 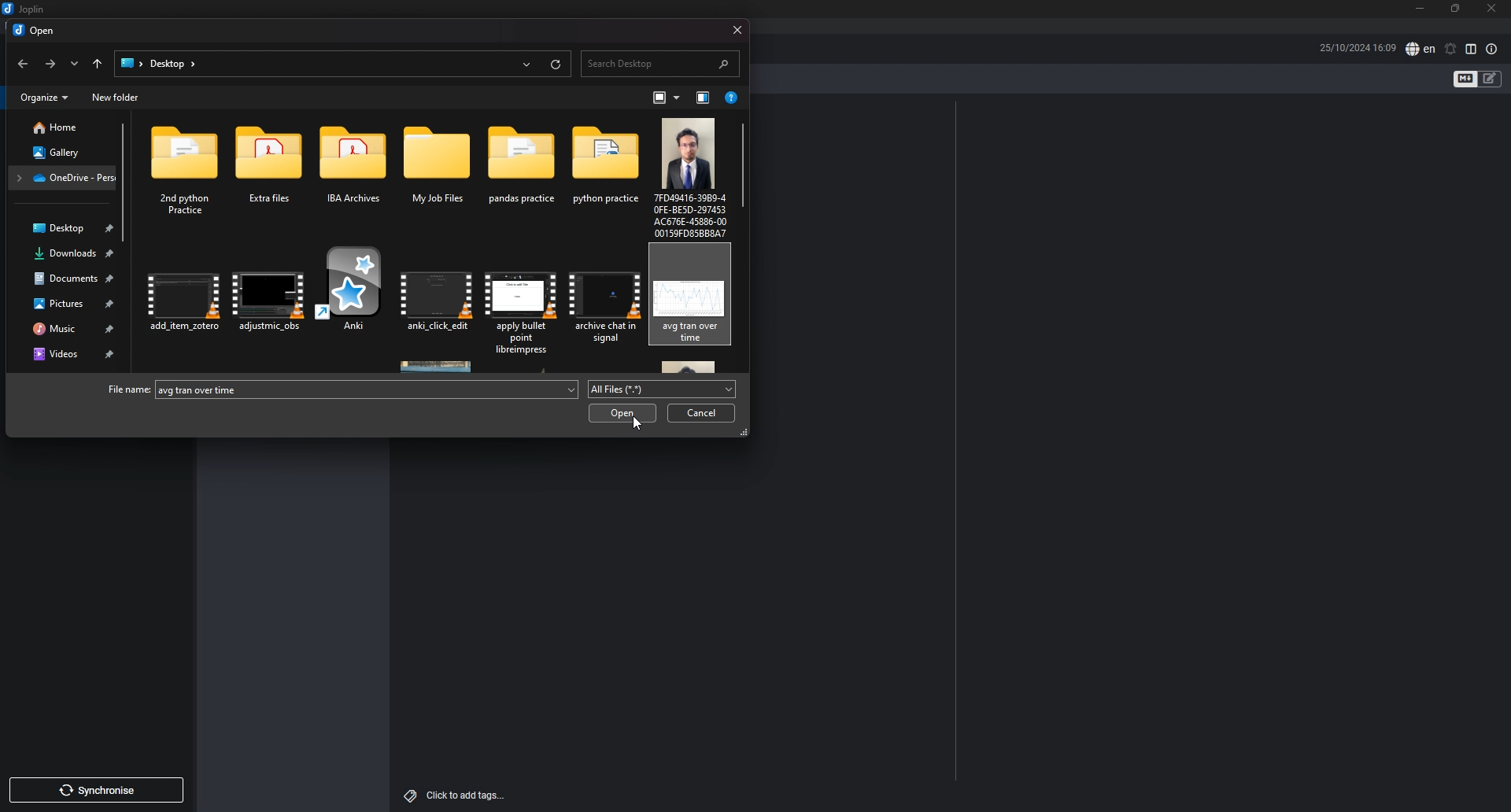 I want to click on synchronise, so click(x=95, y=790).